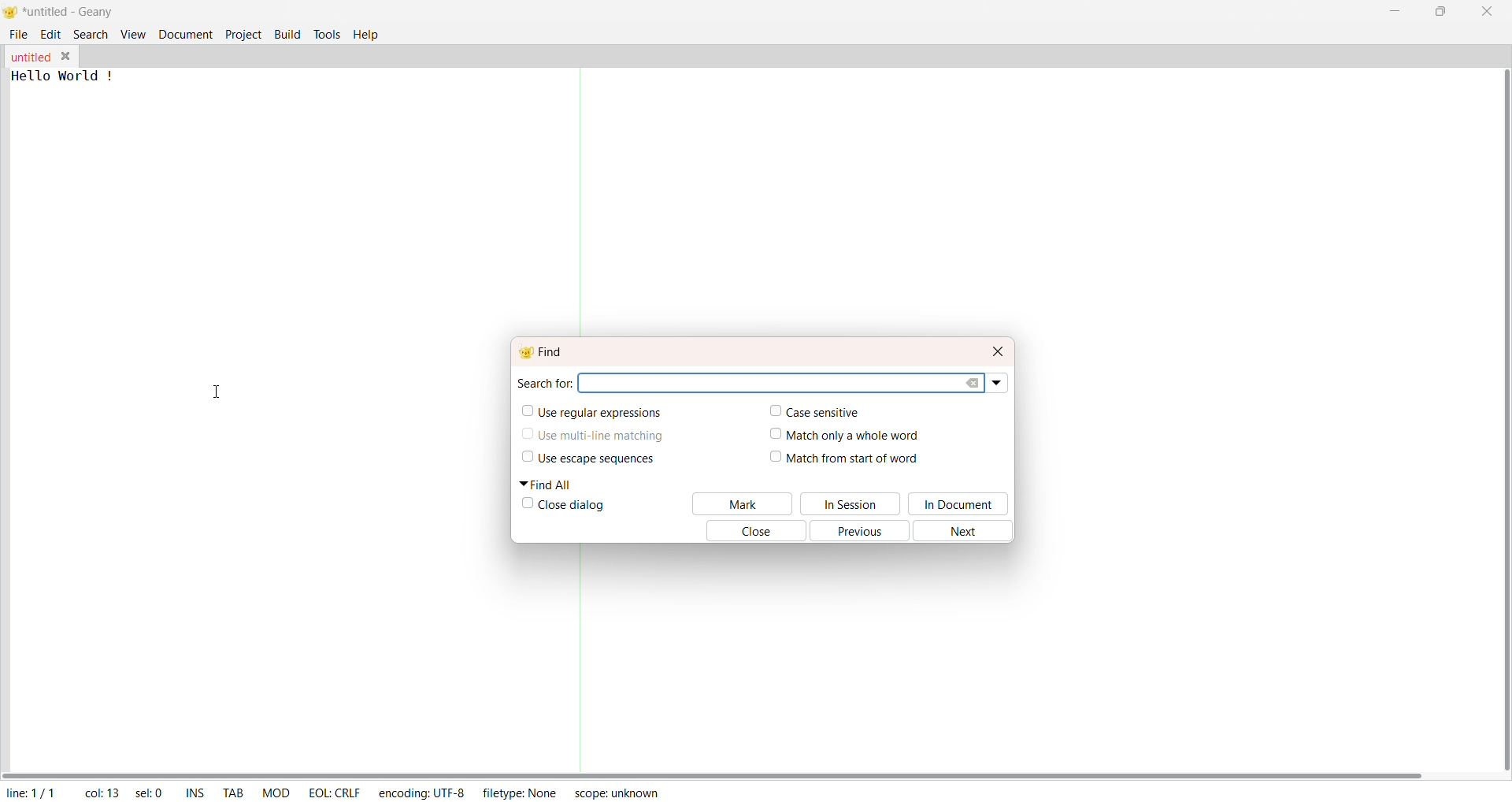 Image resolution: width=1512 pixels, height=802 pixels. Describe the element at coordinates (29, 58) in the screenshot. I see `File Name` at that location.